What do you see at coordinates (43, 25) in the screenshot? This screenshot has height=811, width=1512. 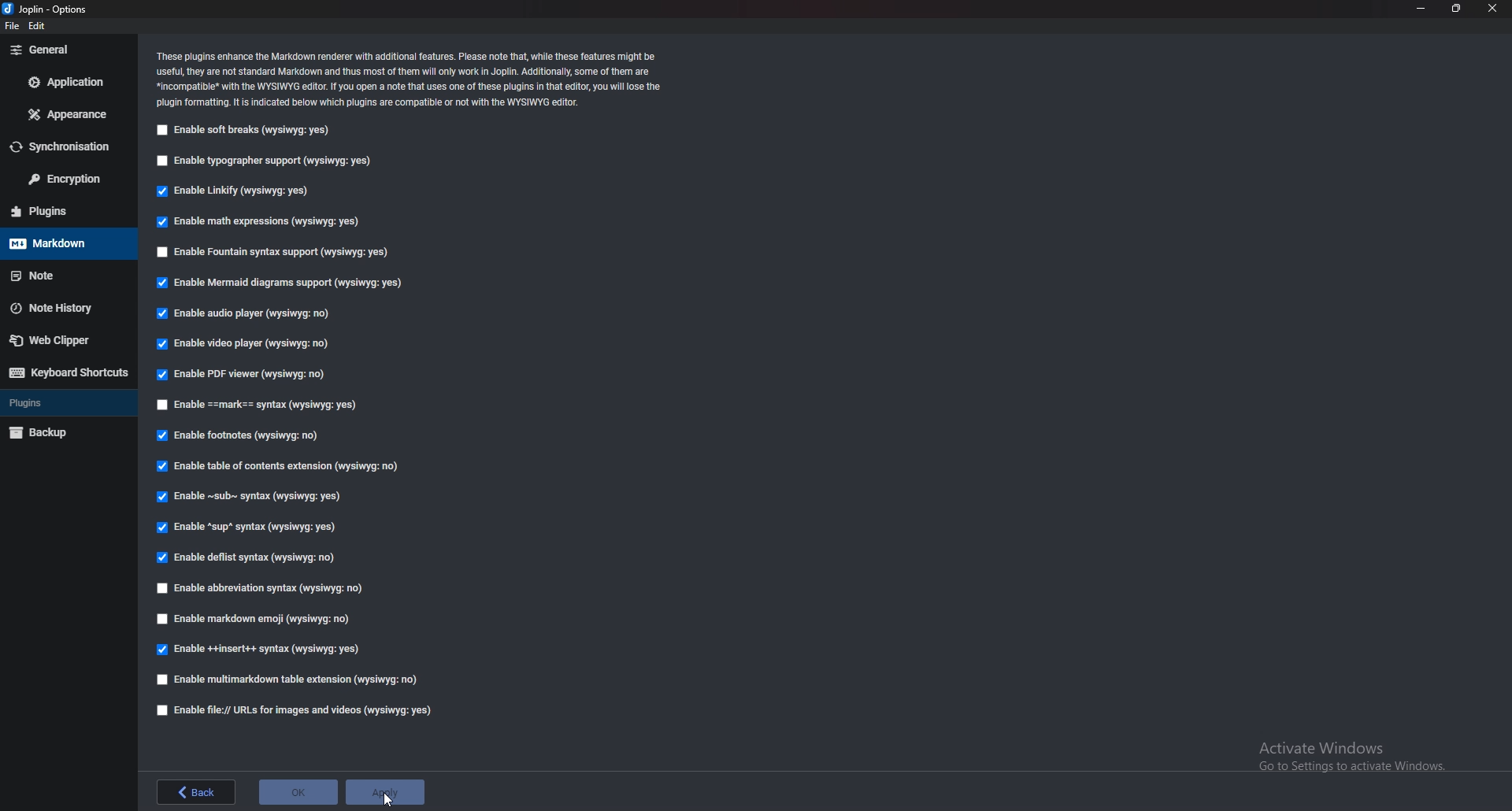 I see `edit` at bounding box center [43, 25].